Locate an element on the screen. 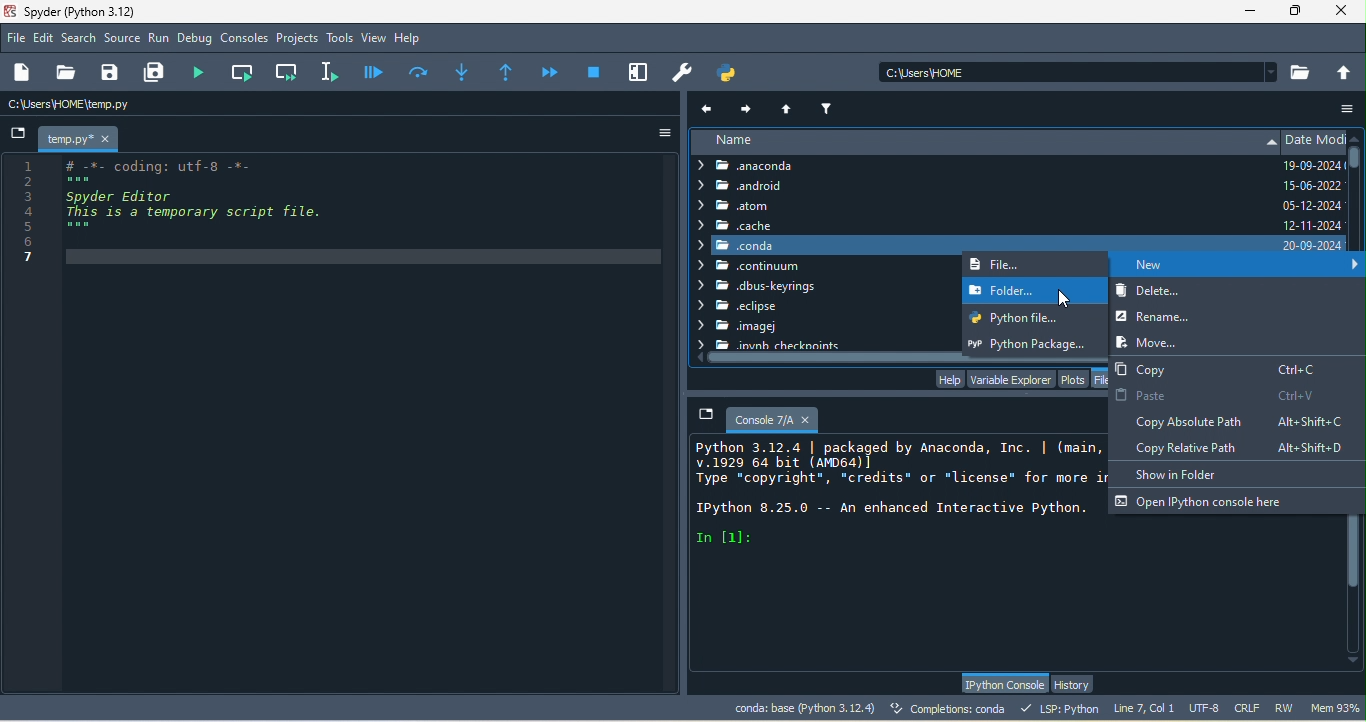 The height and width of the screenshot is (722, 1366). file is located at coordinates (17, 37).